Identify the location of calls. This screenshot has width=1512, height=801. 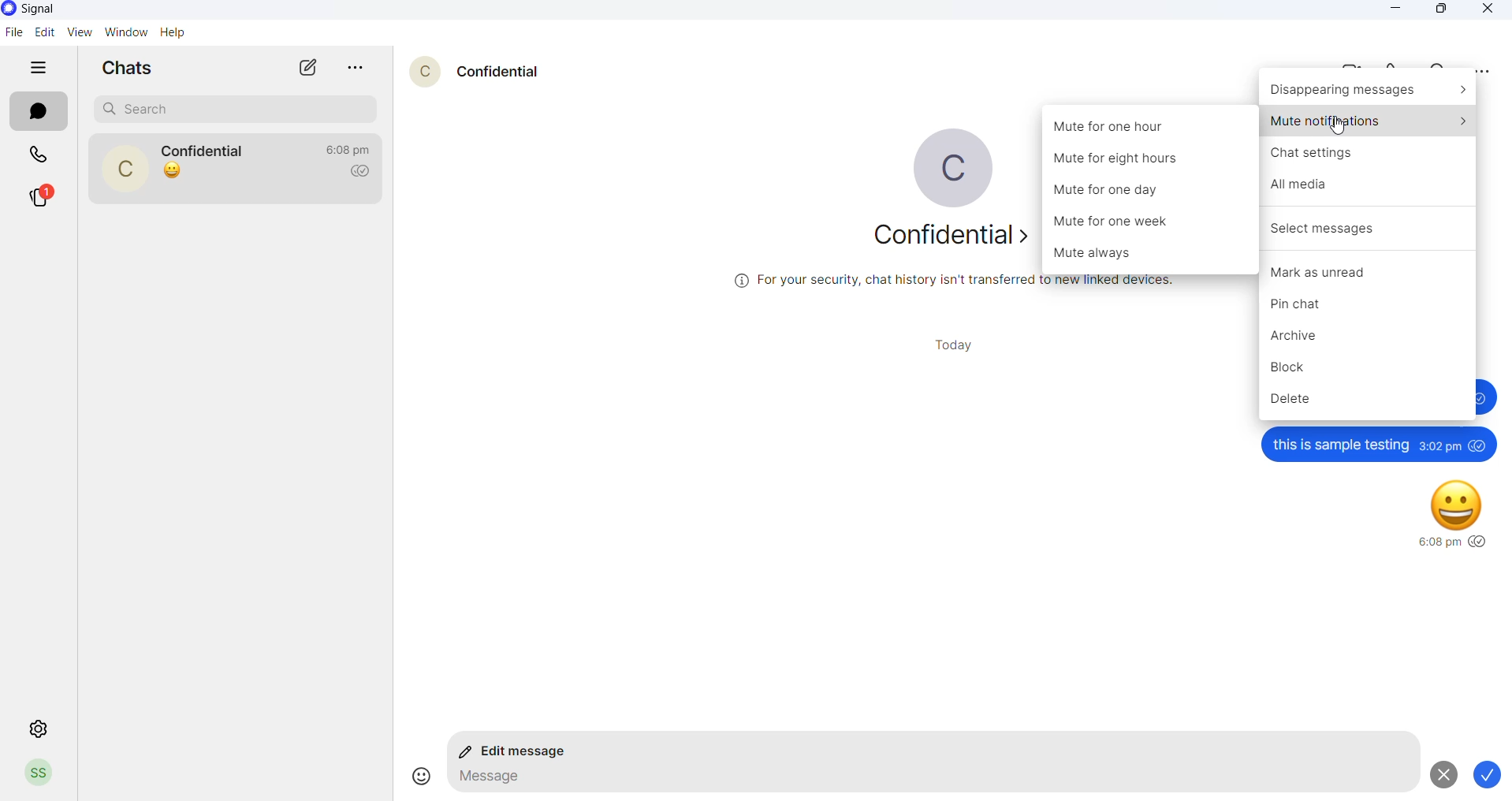
(39, 153).